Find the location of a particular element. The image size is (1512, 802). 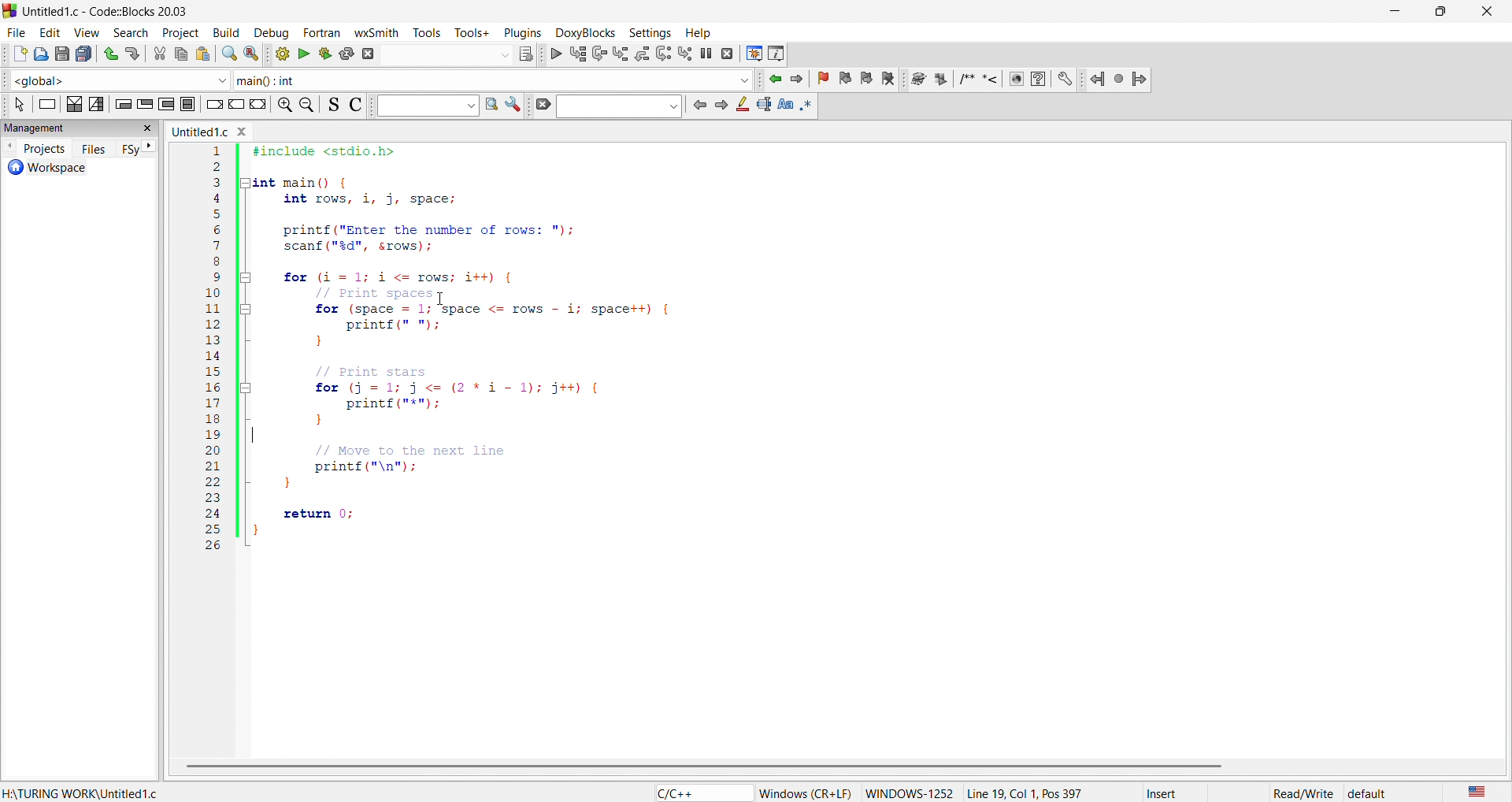

language is located at coordinates (699, 793).